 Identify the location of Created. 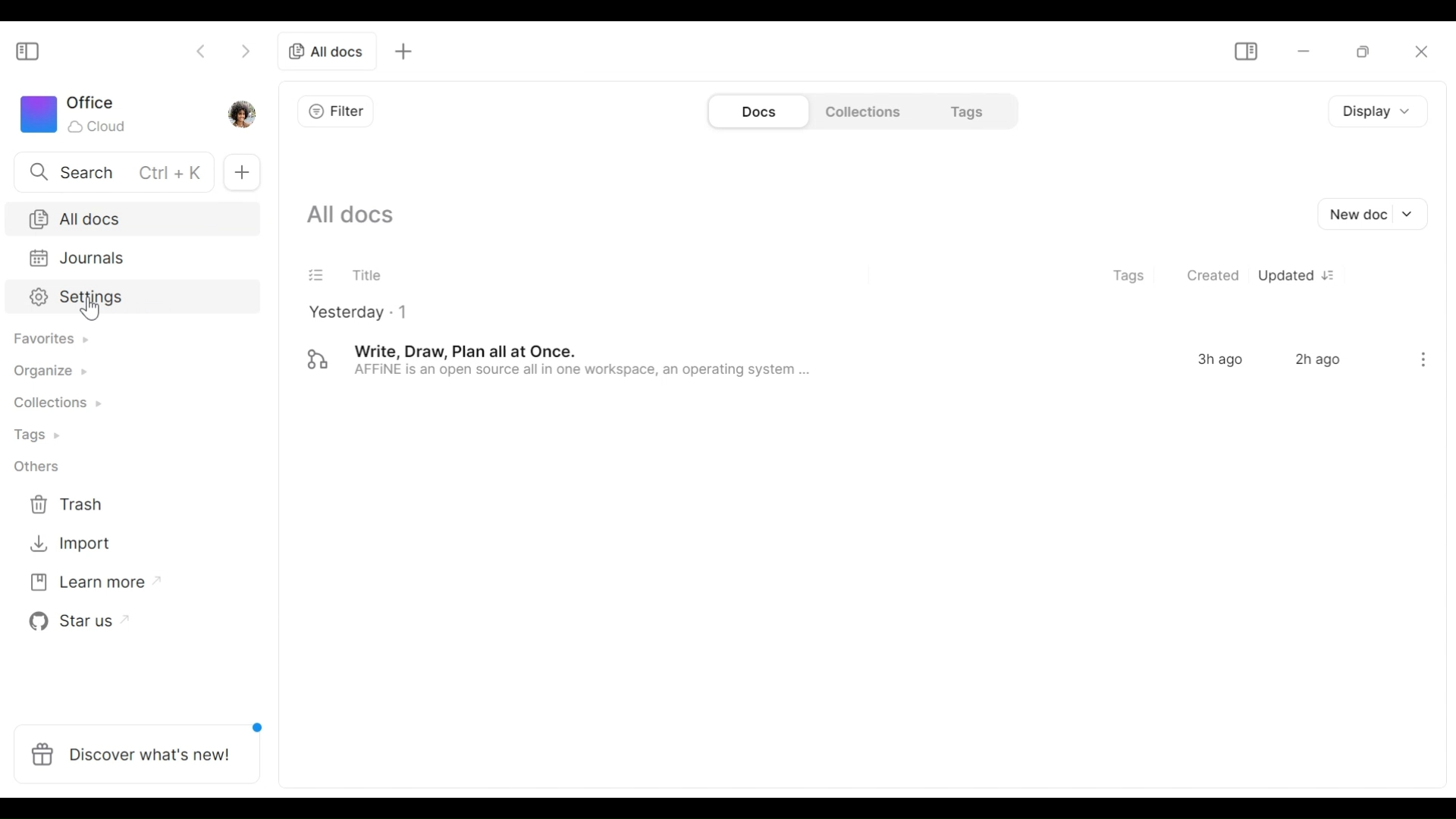
(1214, 278).